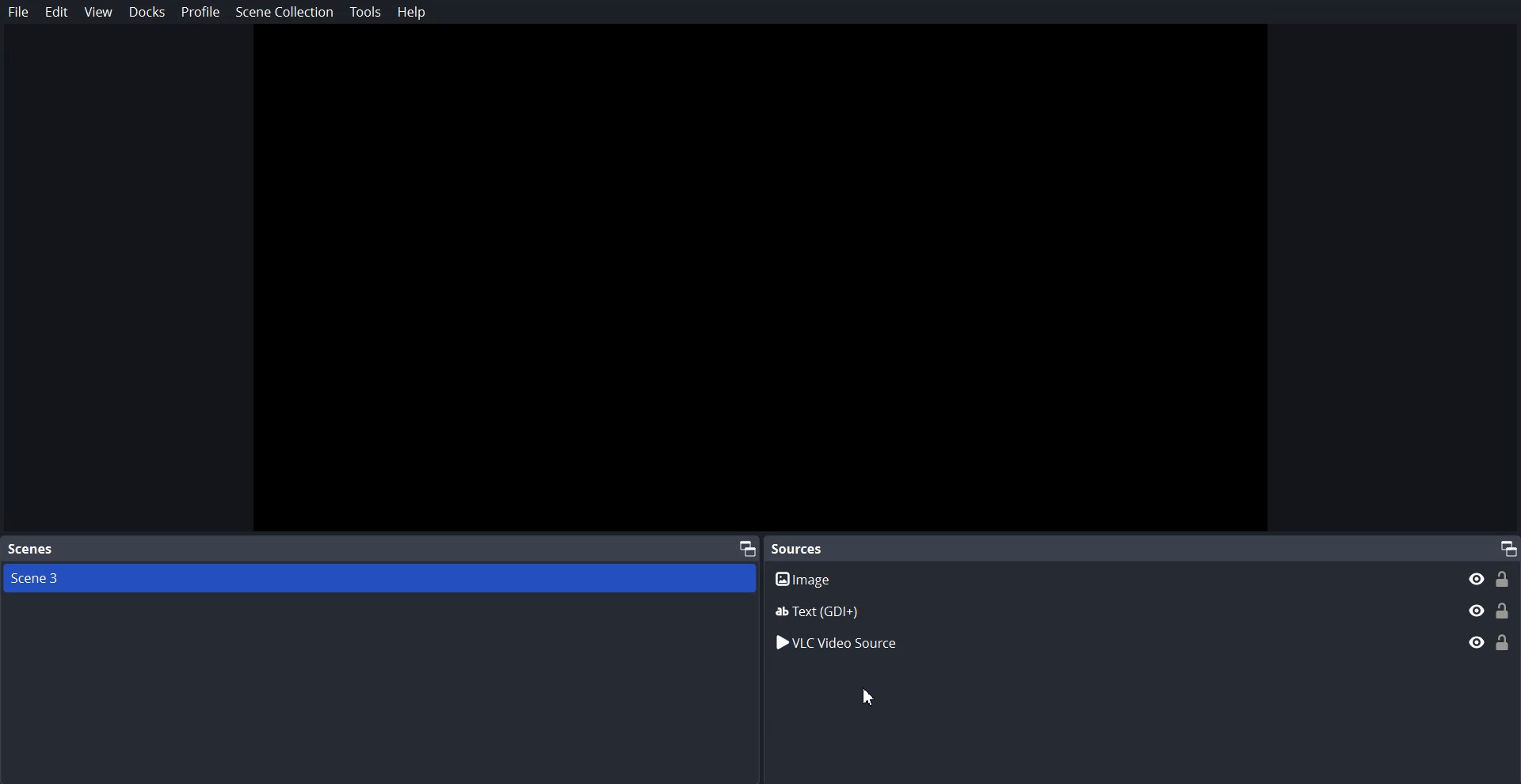 This screenshot has width=1521, height=784. What do you see at coordinates (1504, 641) in the screenshot?
I see `Lock` at bounding box center [1504, 641].